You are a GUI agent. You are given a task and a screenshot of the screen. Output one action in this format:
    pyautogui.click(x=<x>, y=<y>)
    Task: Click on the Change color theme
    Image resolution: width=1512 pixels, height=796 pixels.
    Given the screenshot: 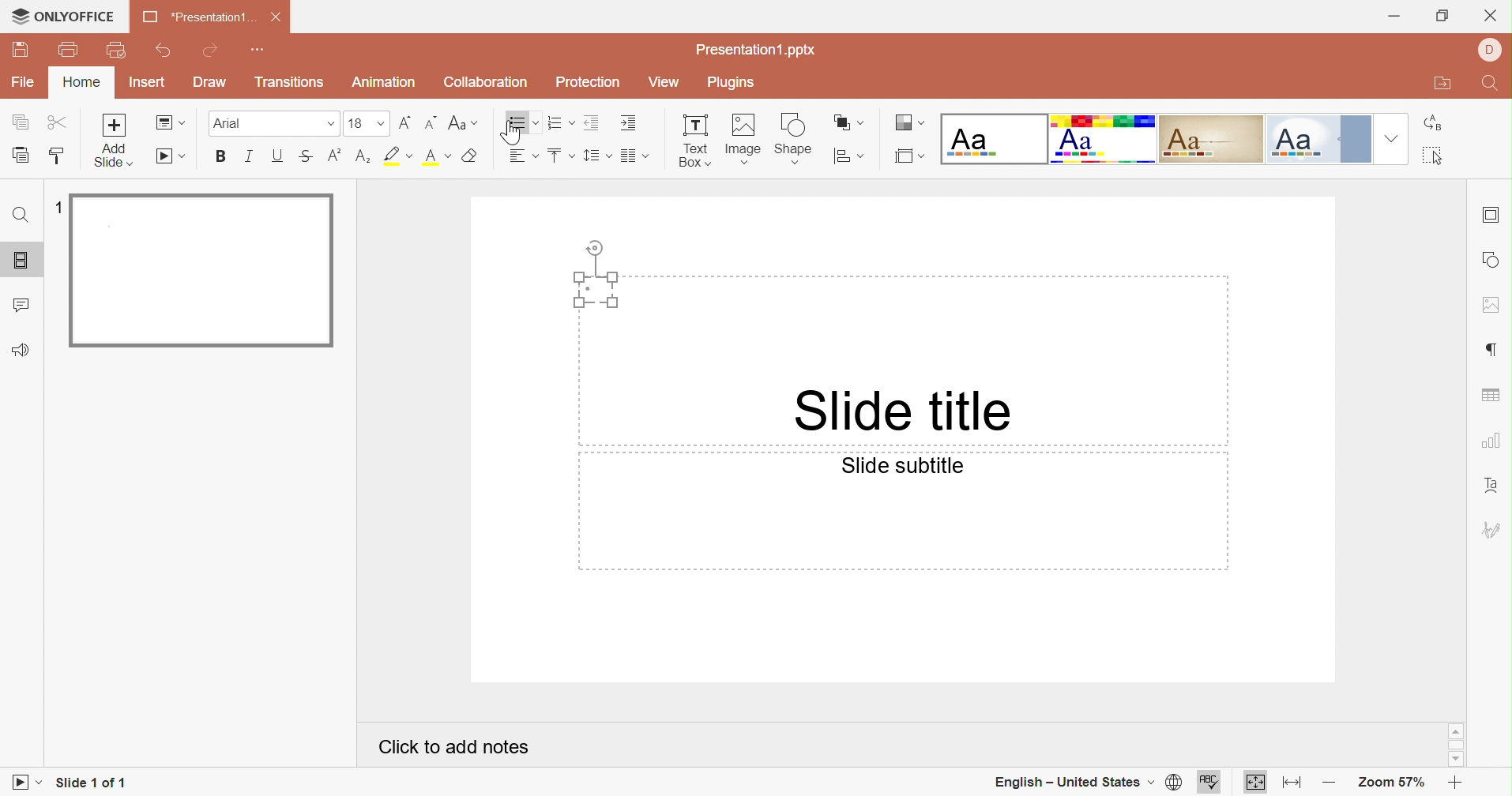 What is the action you would take?
    pyautogui.click(x=911, y=125)
    